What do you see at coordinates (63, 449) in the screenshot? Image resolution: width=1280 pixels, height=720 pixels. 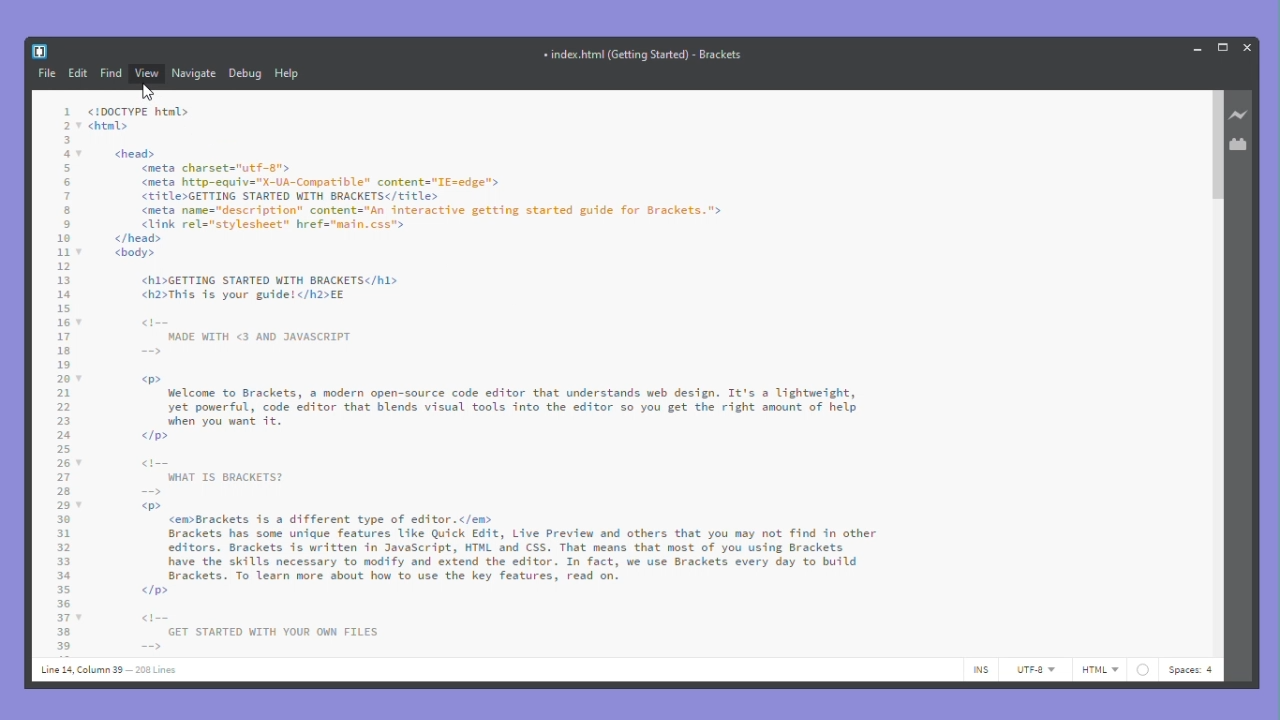 I see `25` at bounding box center [63, 449].